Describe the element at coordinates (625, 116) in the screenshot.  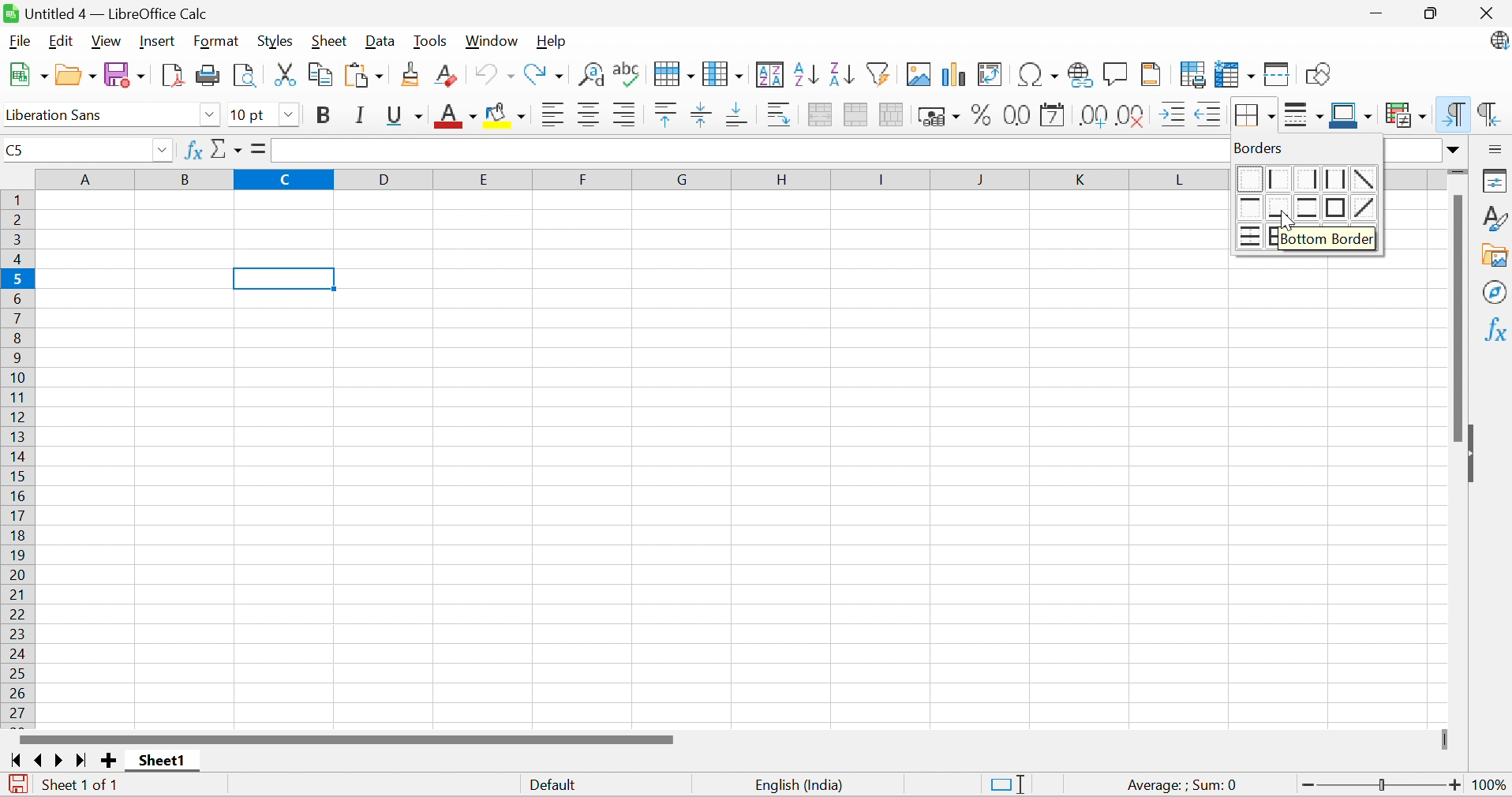
I see `Align right` at that location.